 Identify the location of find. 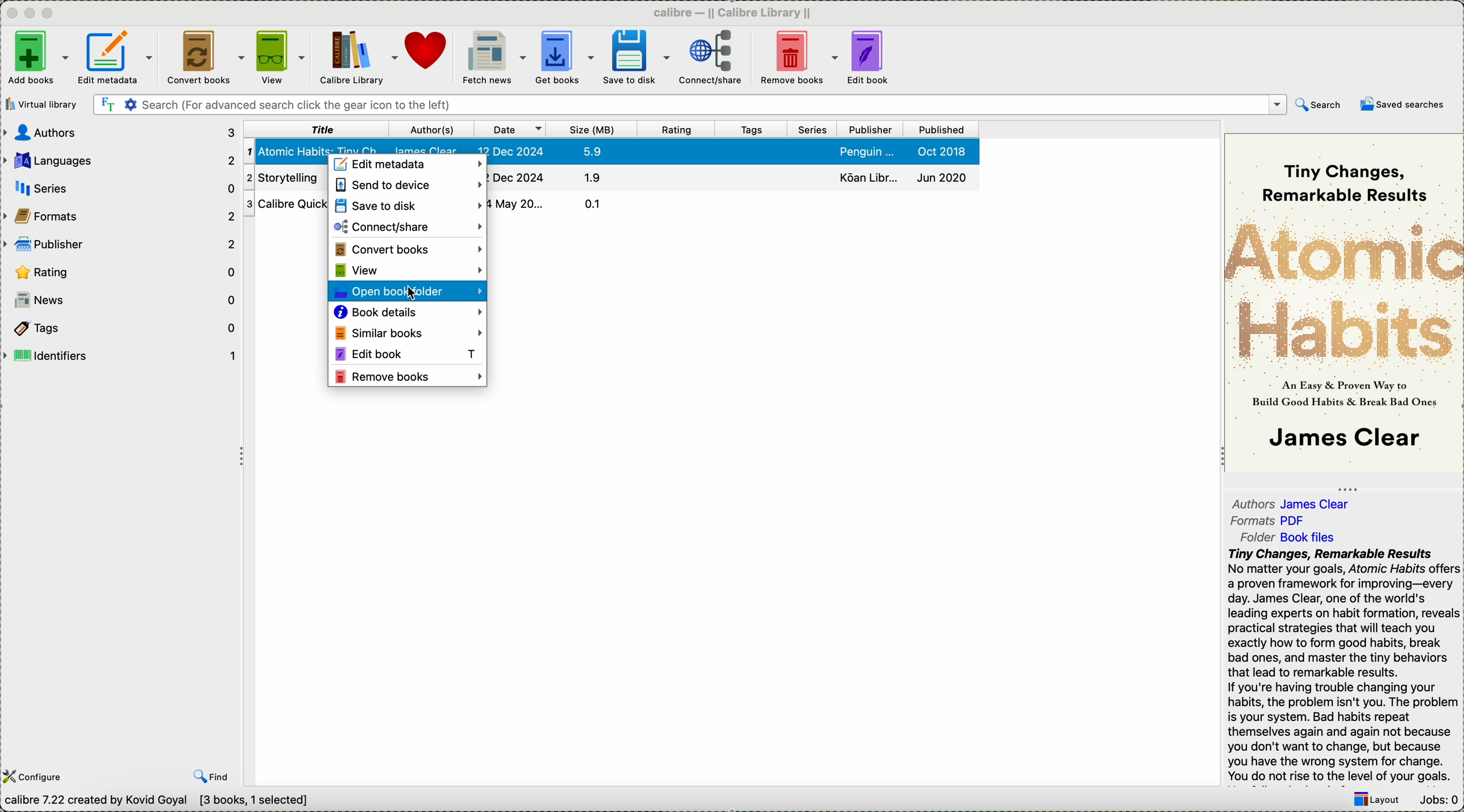
(211, 776).